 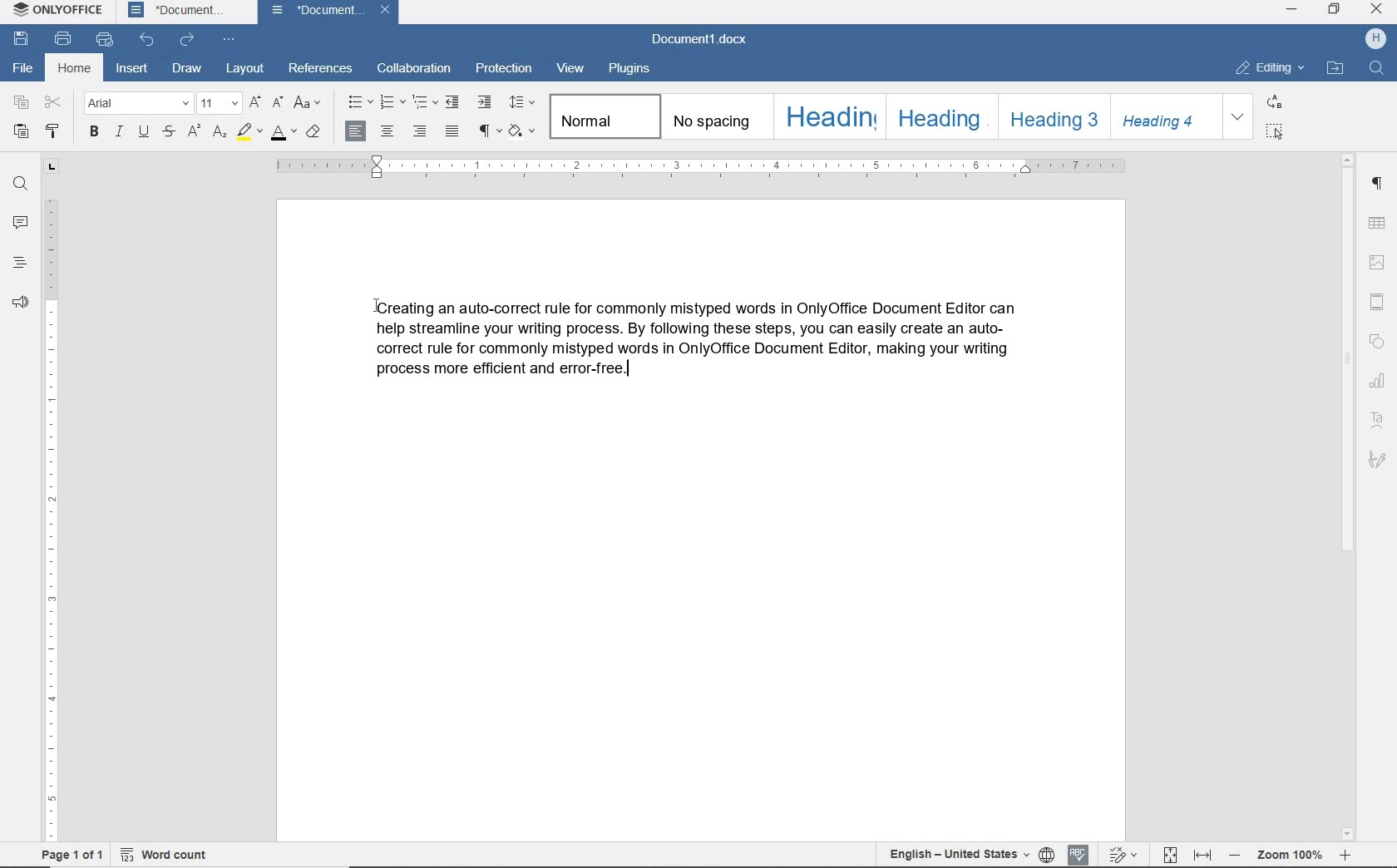 What do you see at coordinates (314, 132) in the screenshot?
I see `clear style` at bounding box center [314, 132].